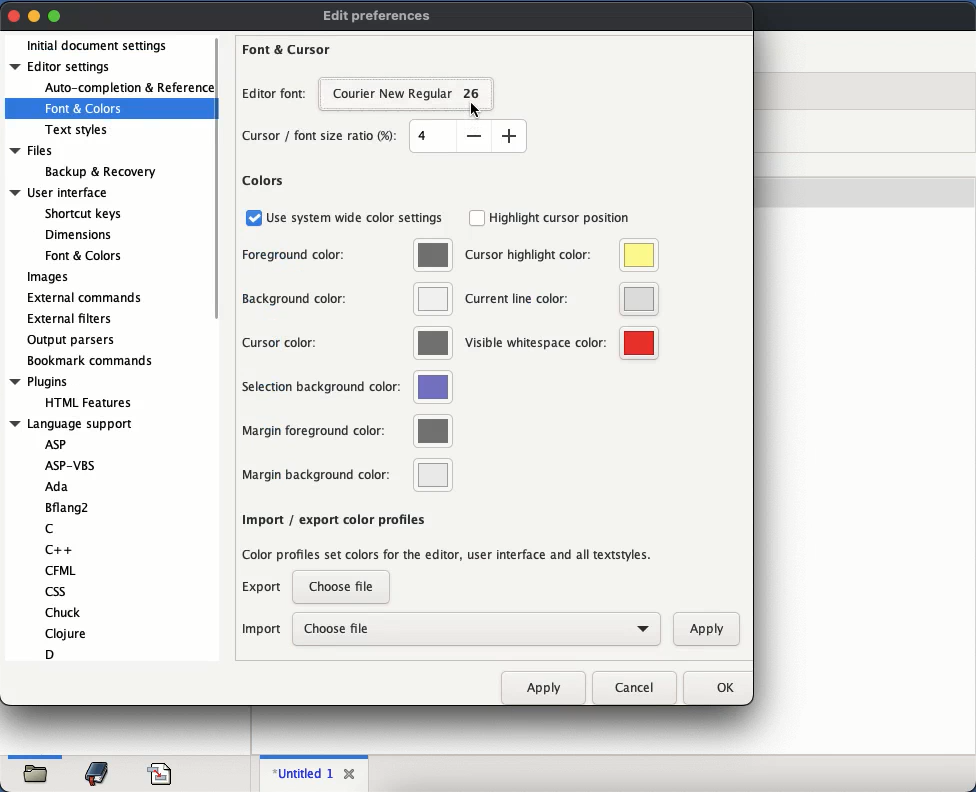  What do you see at coordinates (639, 343) in the screenshot?
I see `color` at bounding box center [639, 343].